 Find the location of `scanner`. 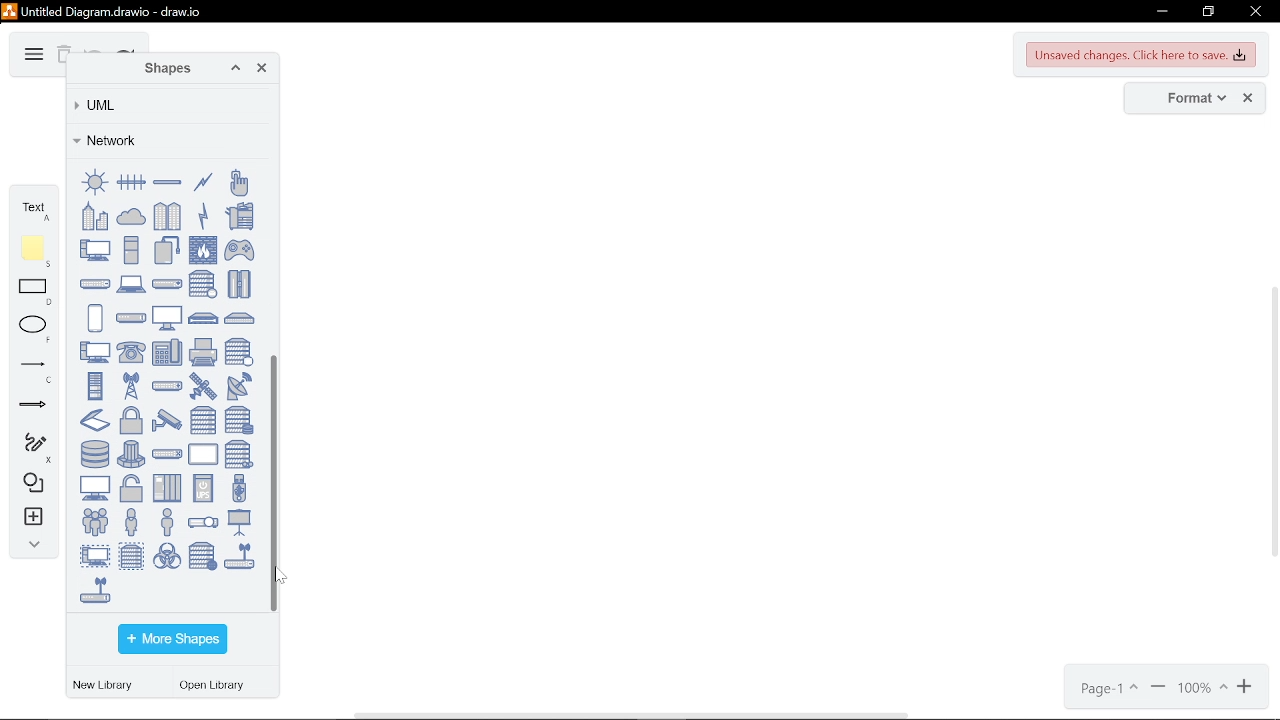

scanner is located at coordinates (95, 420).